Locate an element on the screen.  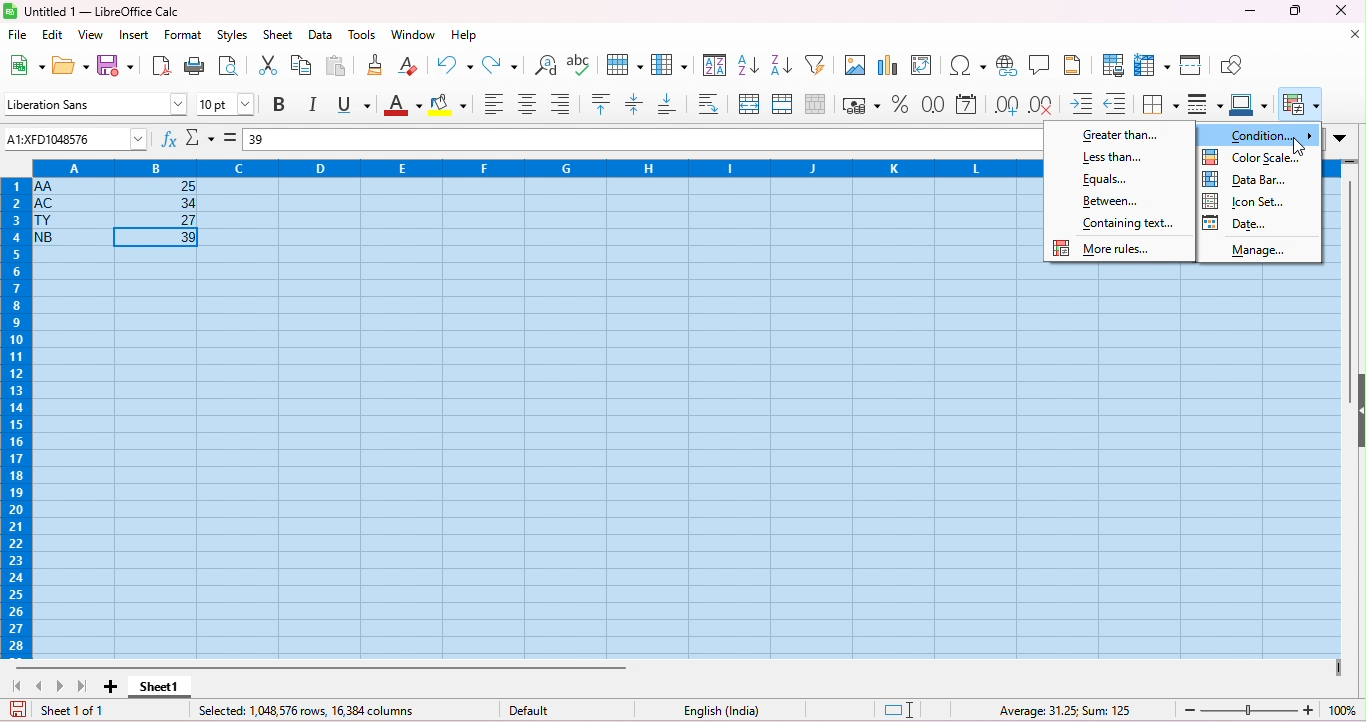
maximize is located at coordinates (1293, 10).